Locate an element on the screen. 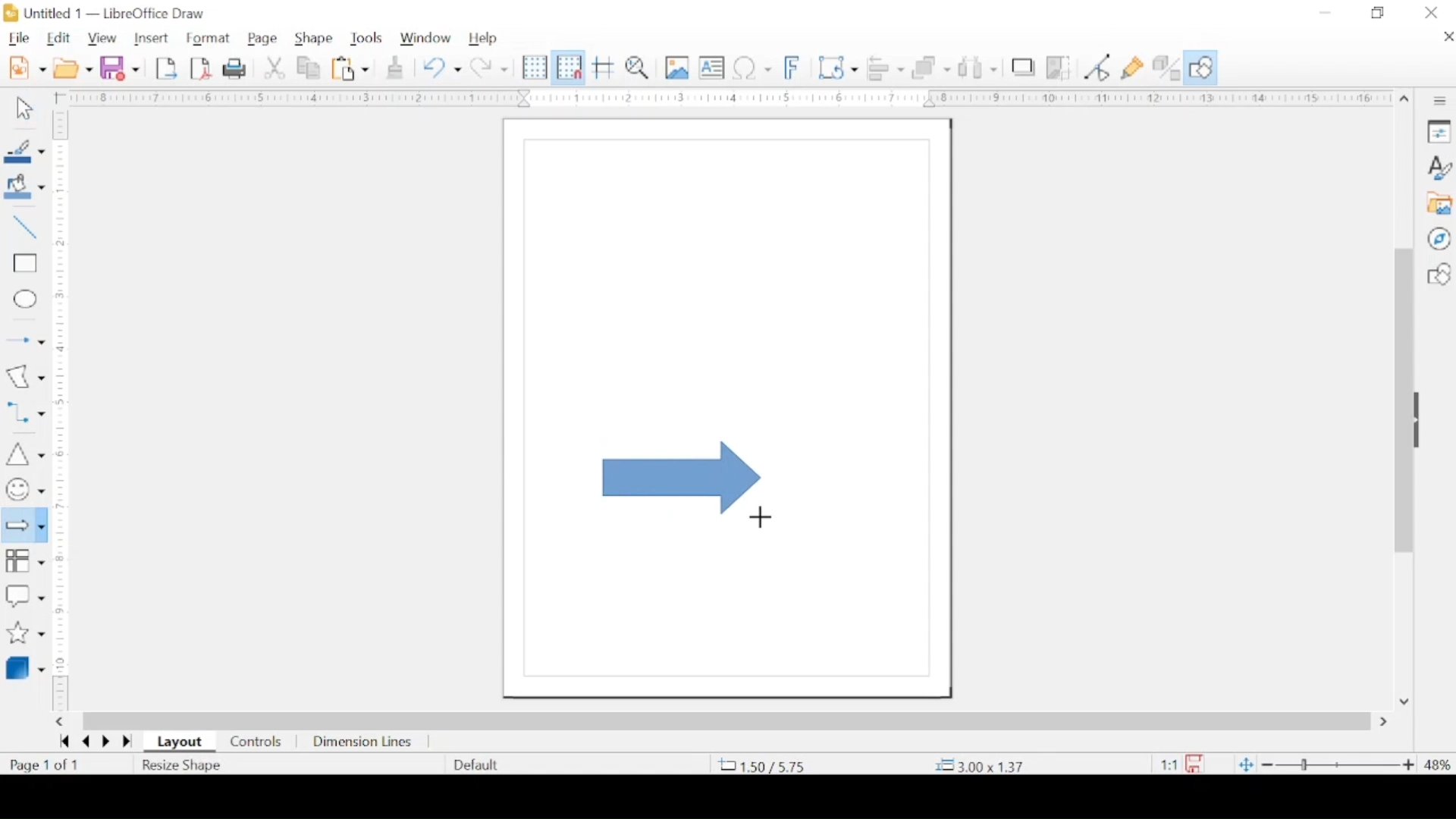 This screenshot has height=819, width=1456. ellipse is located at coordinates (27, 301).